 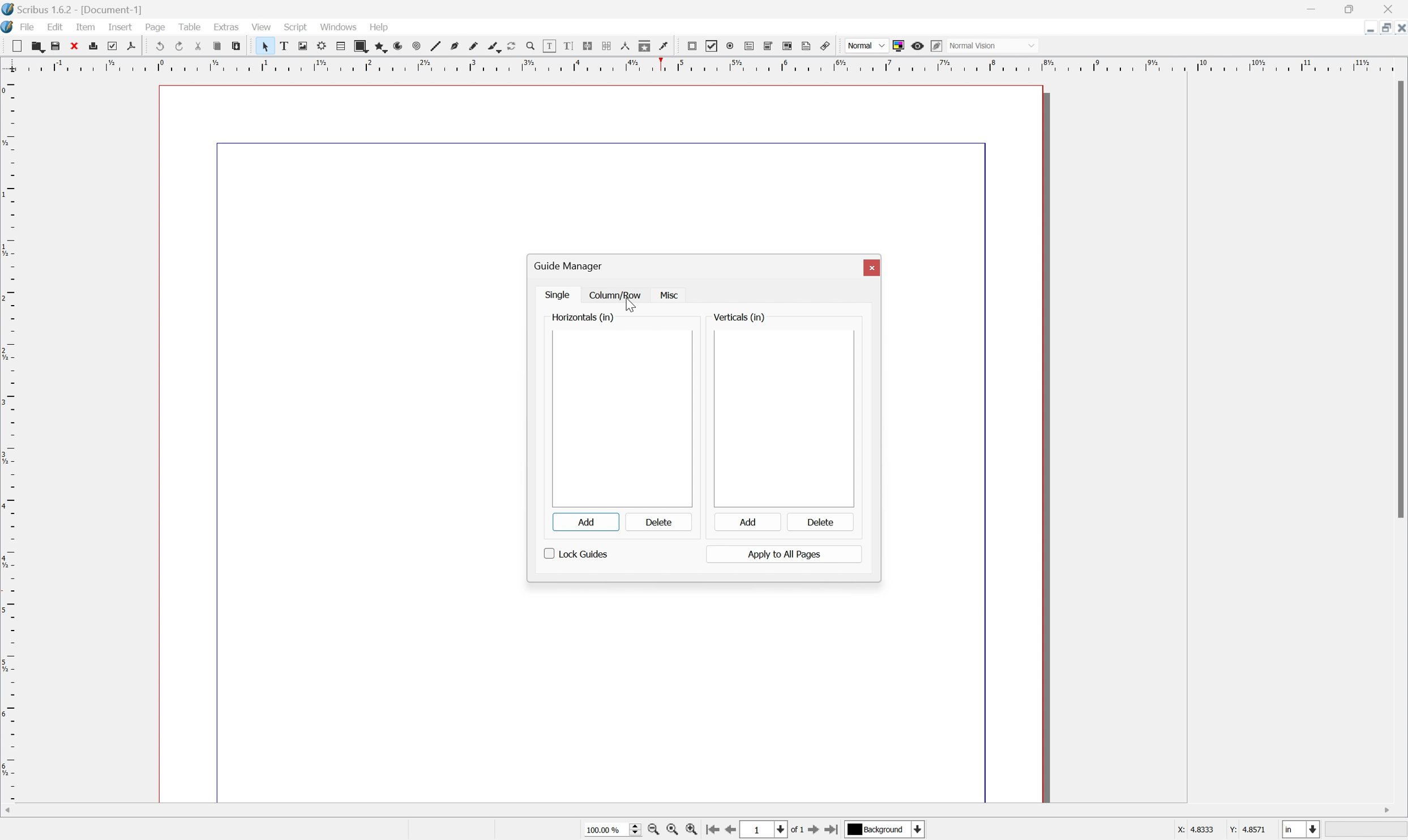 What do you see at coordinates (606, 45) in the screenshot?
I see `unlink text frames` at bounding box center [606, 45].